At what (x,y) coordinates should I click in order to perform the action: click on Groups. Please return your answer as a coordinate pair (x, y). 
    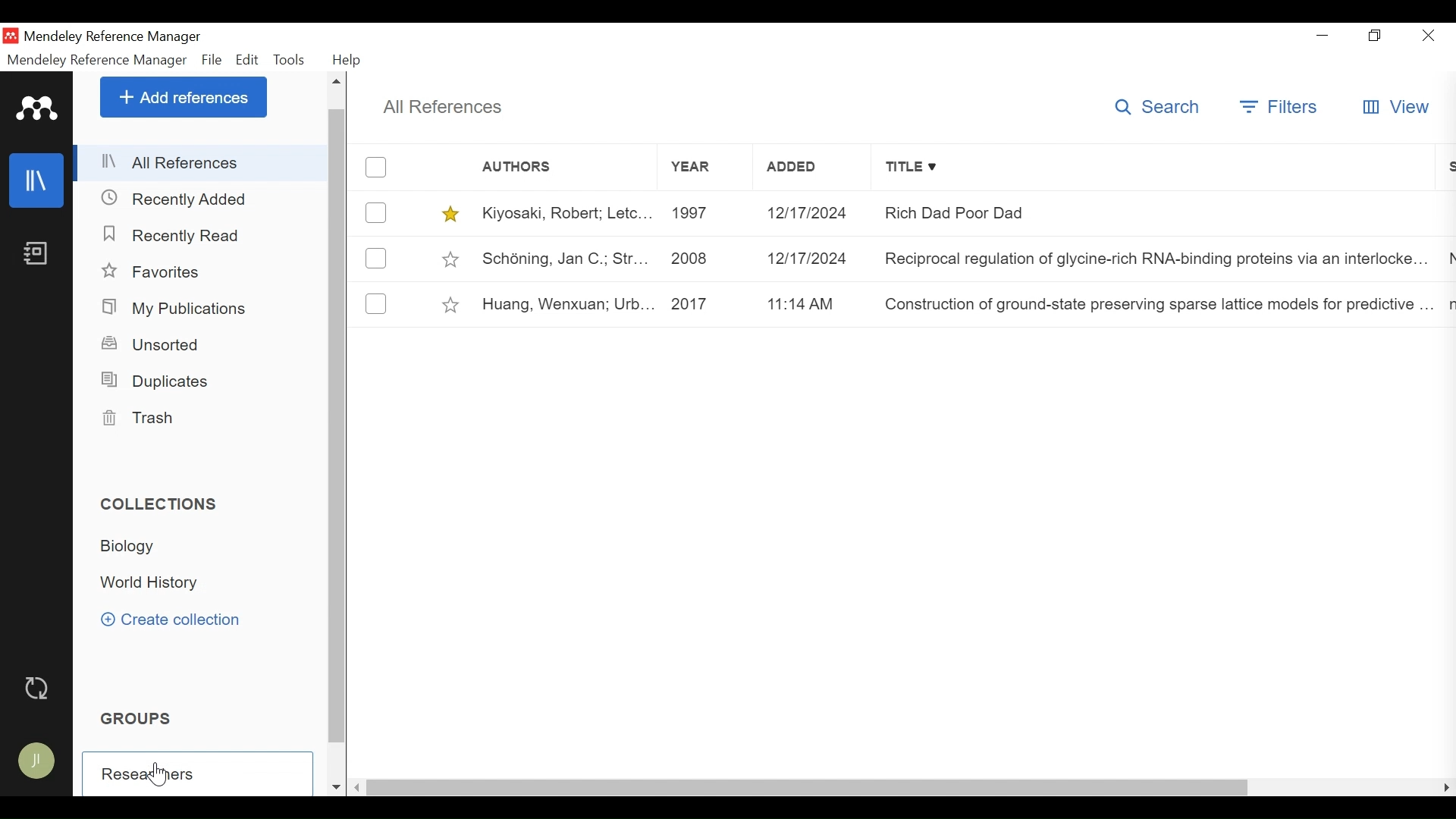
    Looking at the image, I should click on (140, 717).